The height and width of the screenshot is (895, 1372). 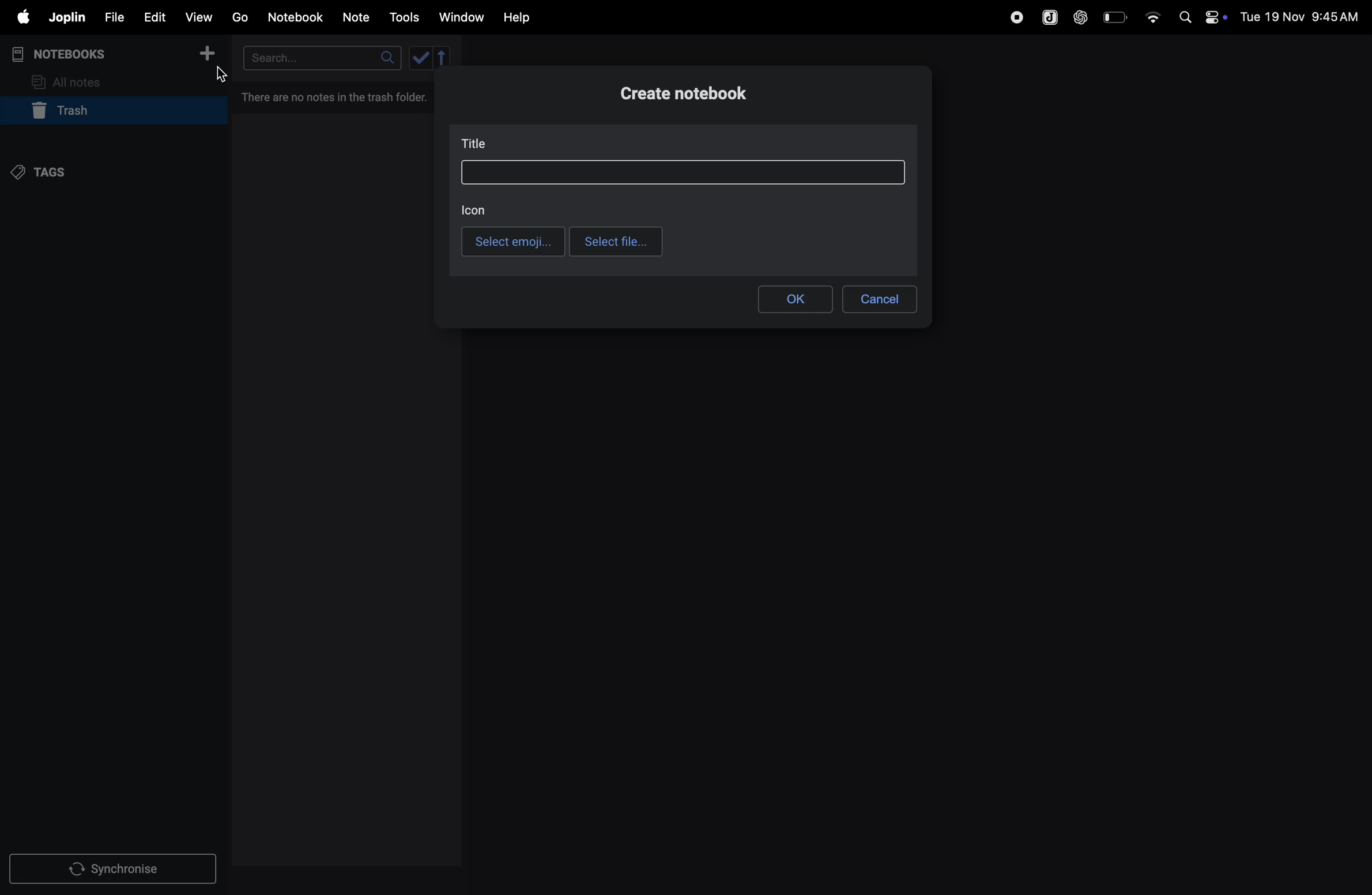 I want to click on edit, so click(x=153, y=17).